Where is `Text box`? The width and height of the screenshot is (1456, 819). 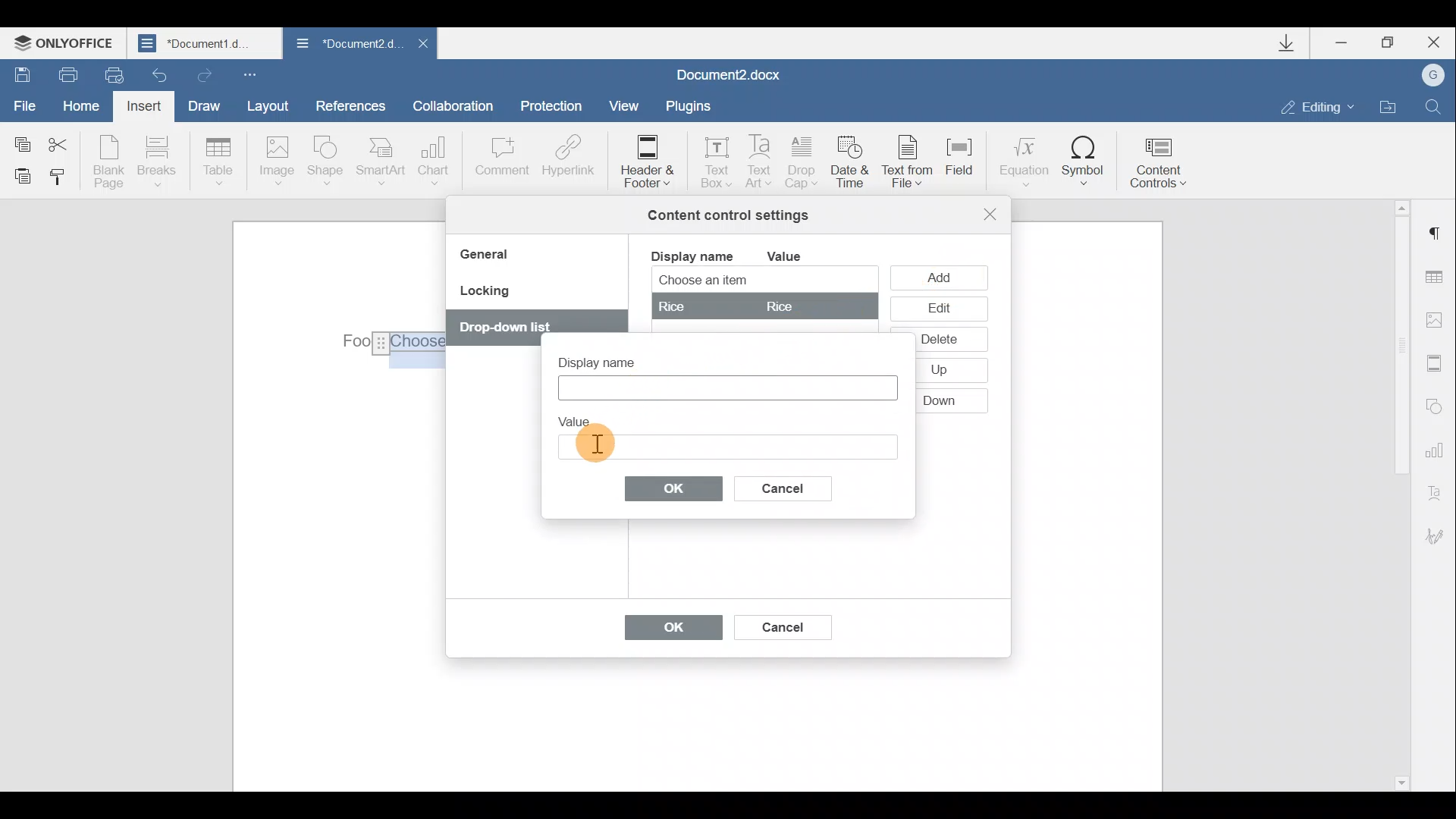
Text box is located at coordinates (725, 388).